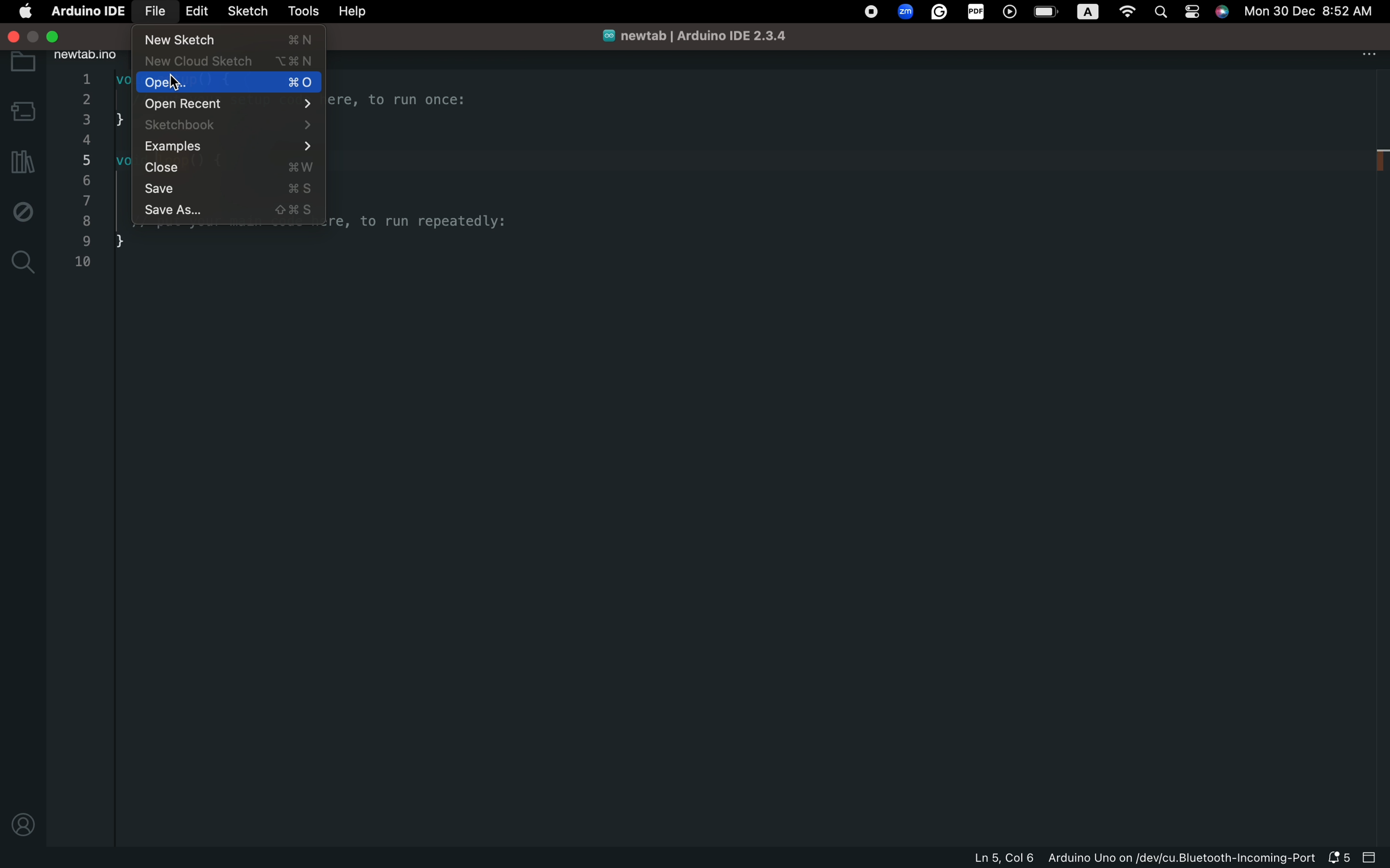 The height and width of the screenshot is (868, 1390). I want to click on examples, so click(227, 146).